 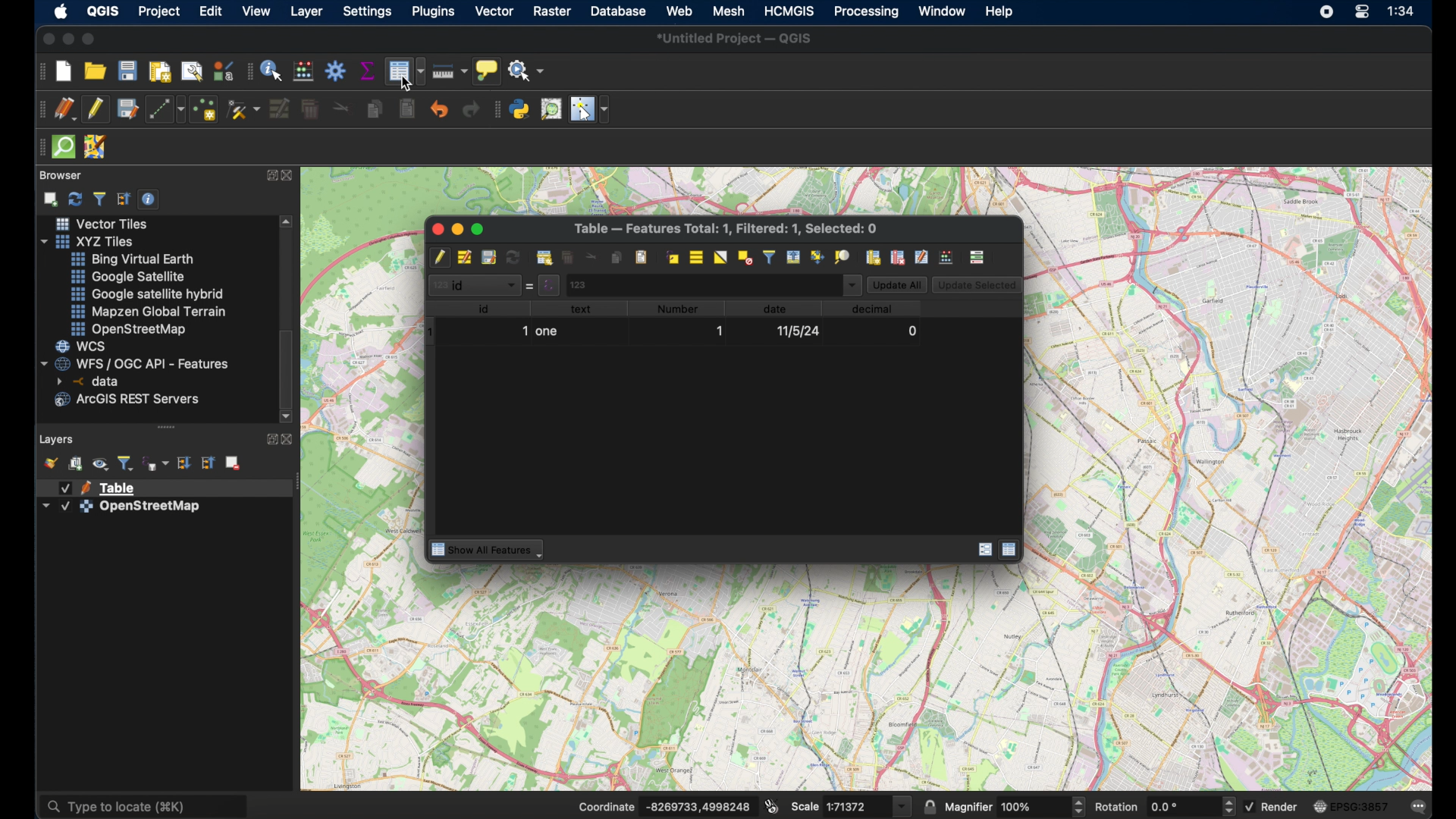 What do you see at coordinates (489, 256) in the screenshot?
I see `saveedits` at bounding box center [489, 256].